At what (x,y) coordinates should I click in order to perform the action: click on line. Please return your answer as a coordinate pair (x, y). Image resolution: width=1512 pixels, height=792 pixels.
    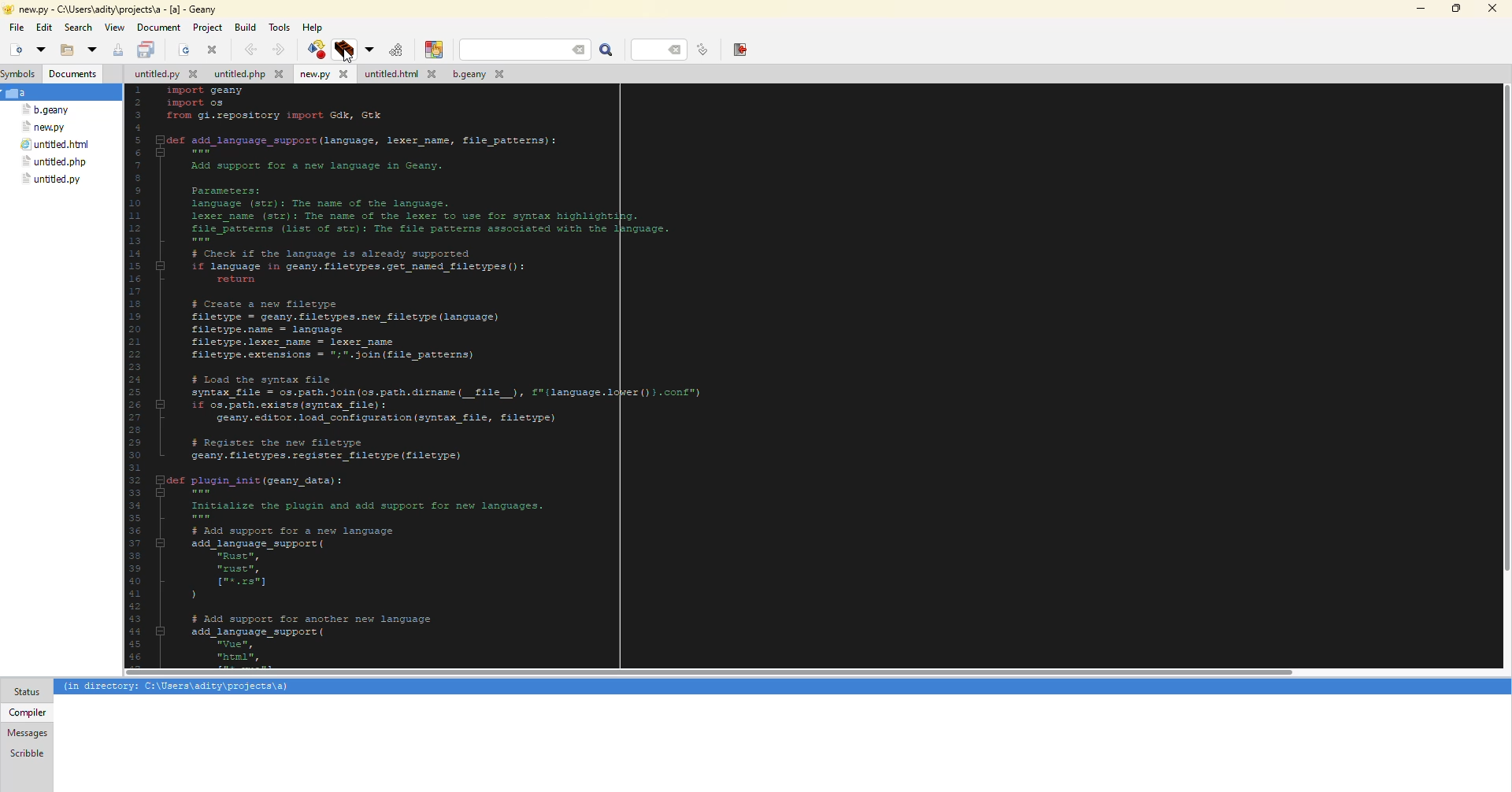
    Looking at the image, I should click on (657, 50).